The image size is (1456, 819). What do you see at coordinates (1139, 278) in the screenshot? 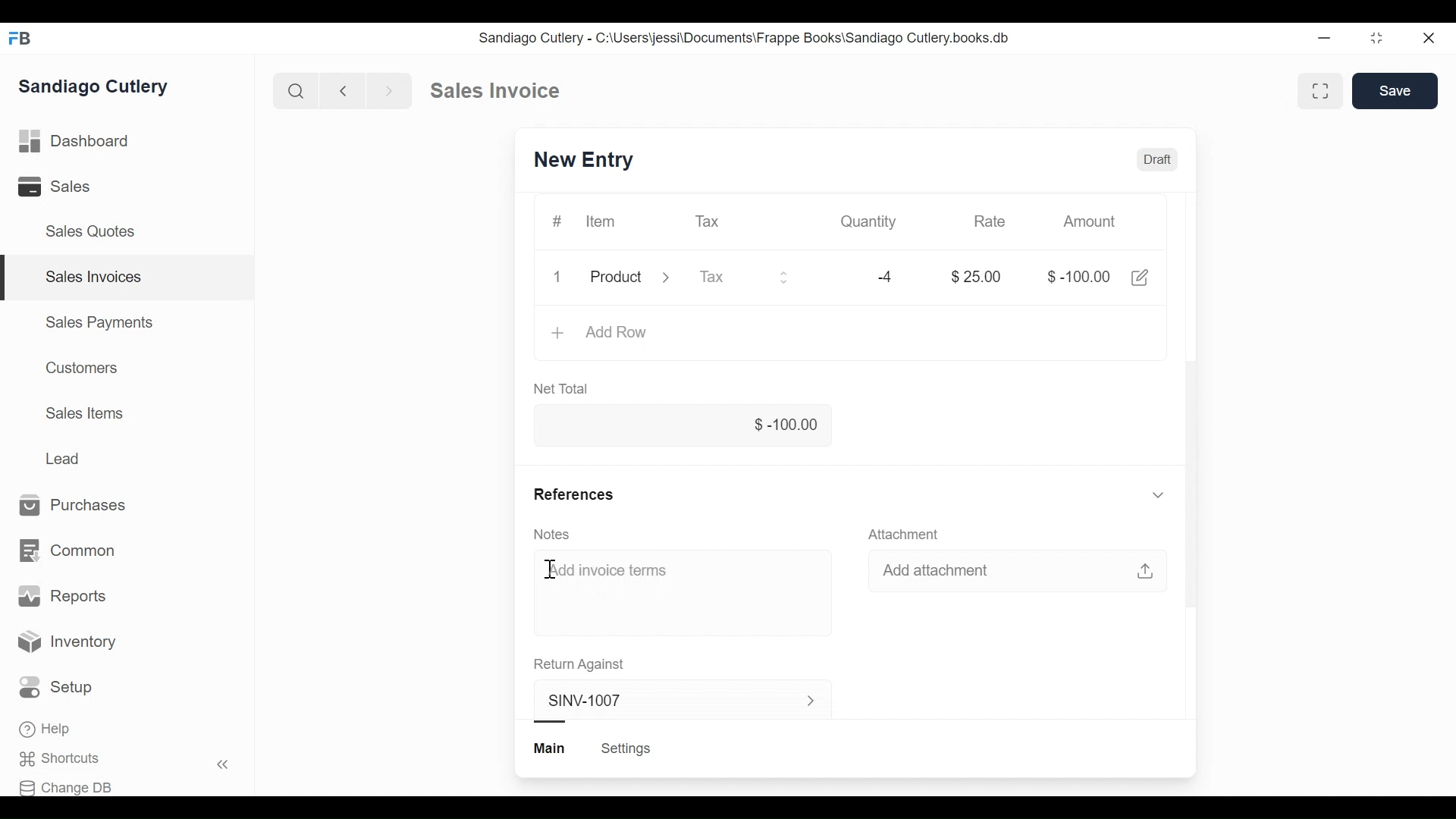
I see `Edit` at bounding box center [1139, 278].